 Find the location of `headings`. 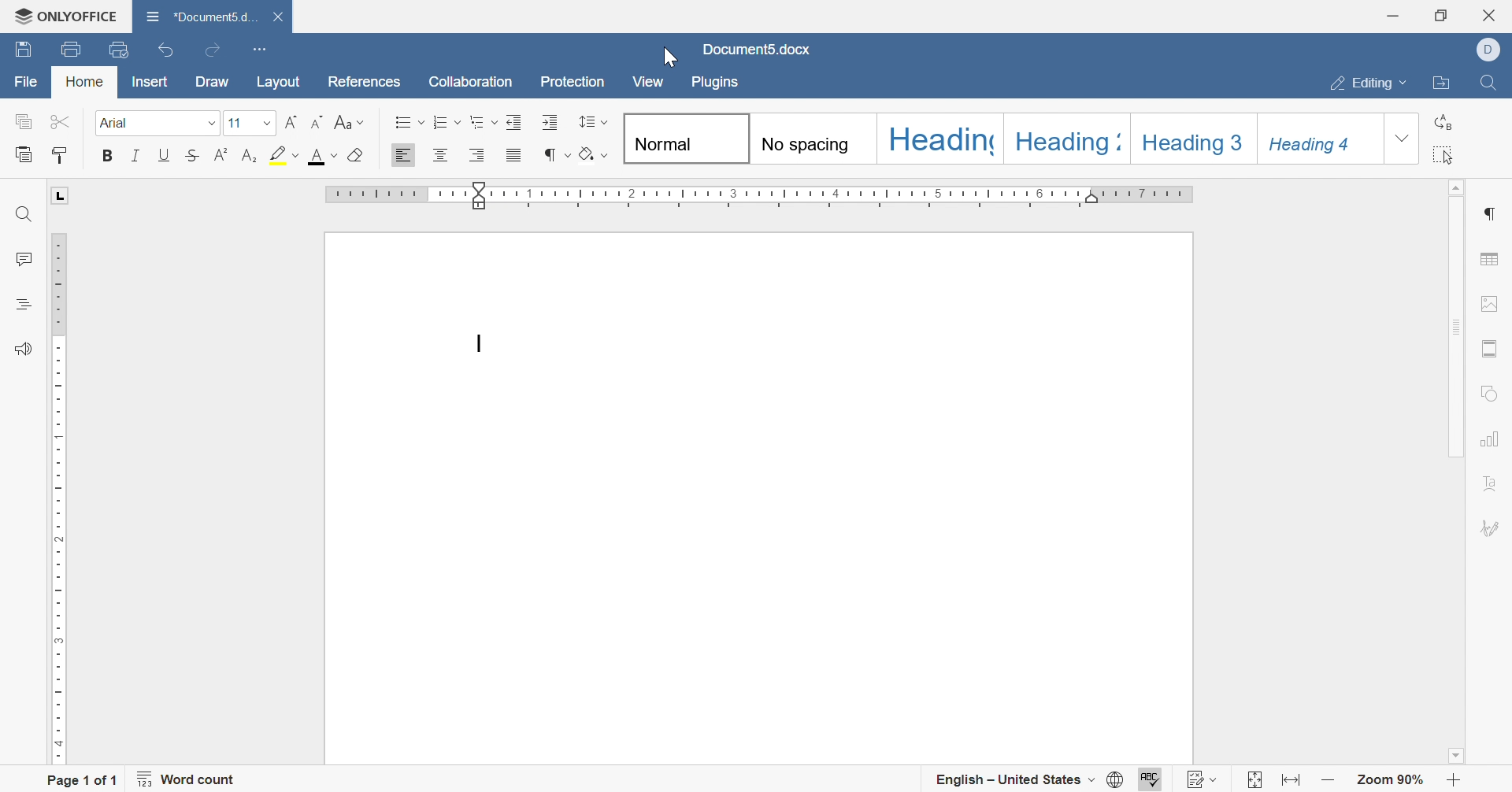

headings is located at coordinates (19, 305).